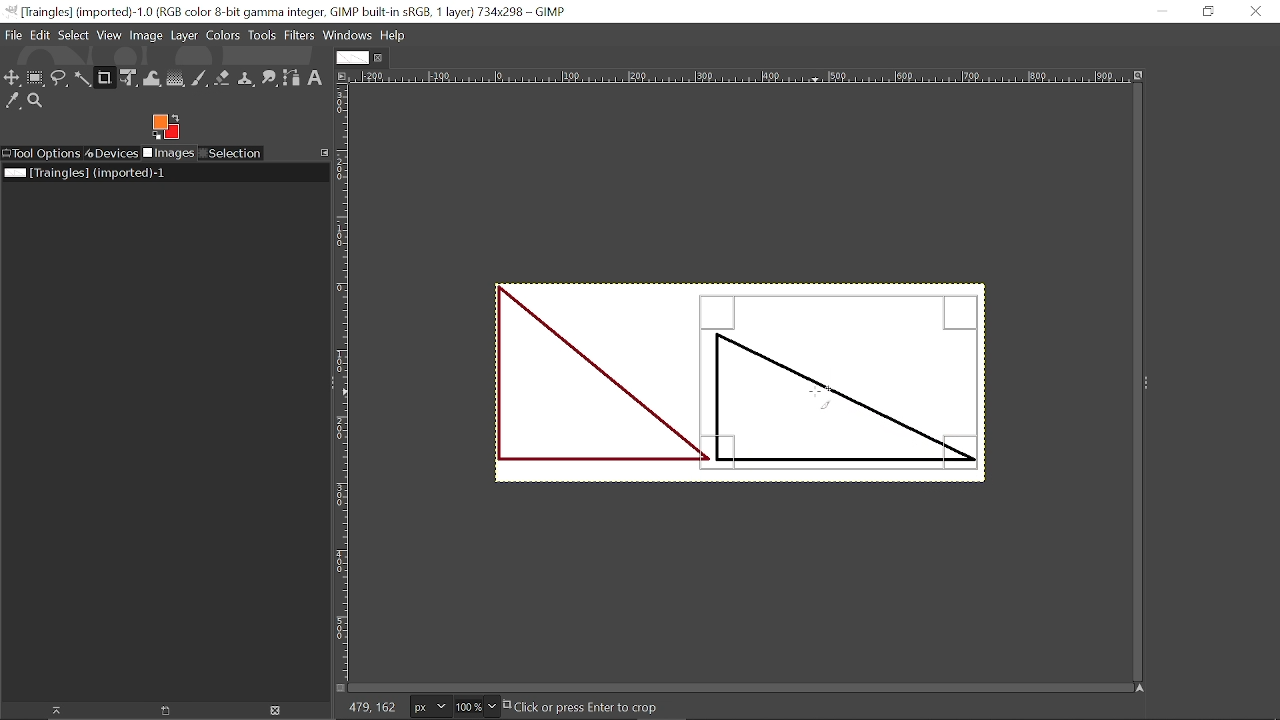 The width and height of the screenshot is (1280, 720). Describe the element at coordinates (1170, 11) in the screenshot. I see `Minimize` at that location.